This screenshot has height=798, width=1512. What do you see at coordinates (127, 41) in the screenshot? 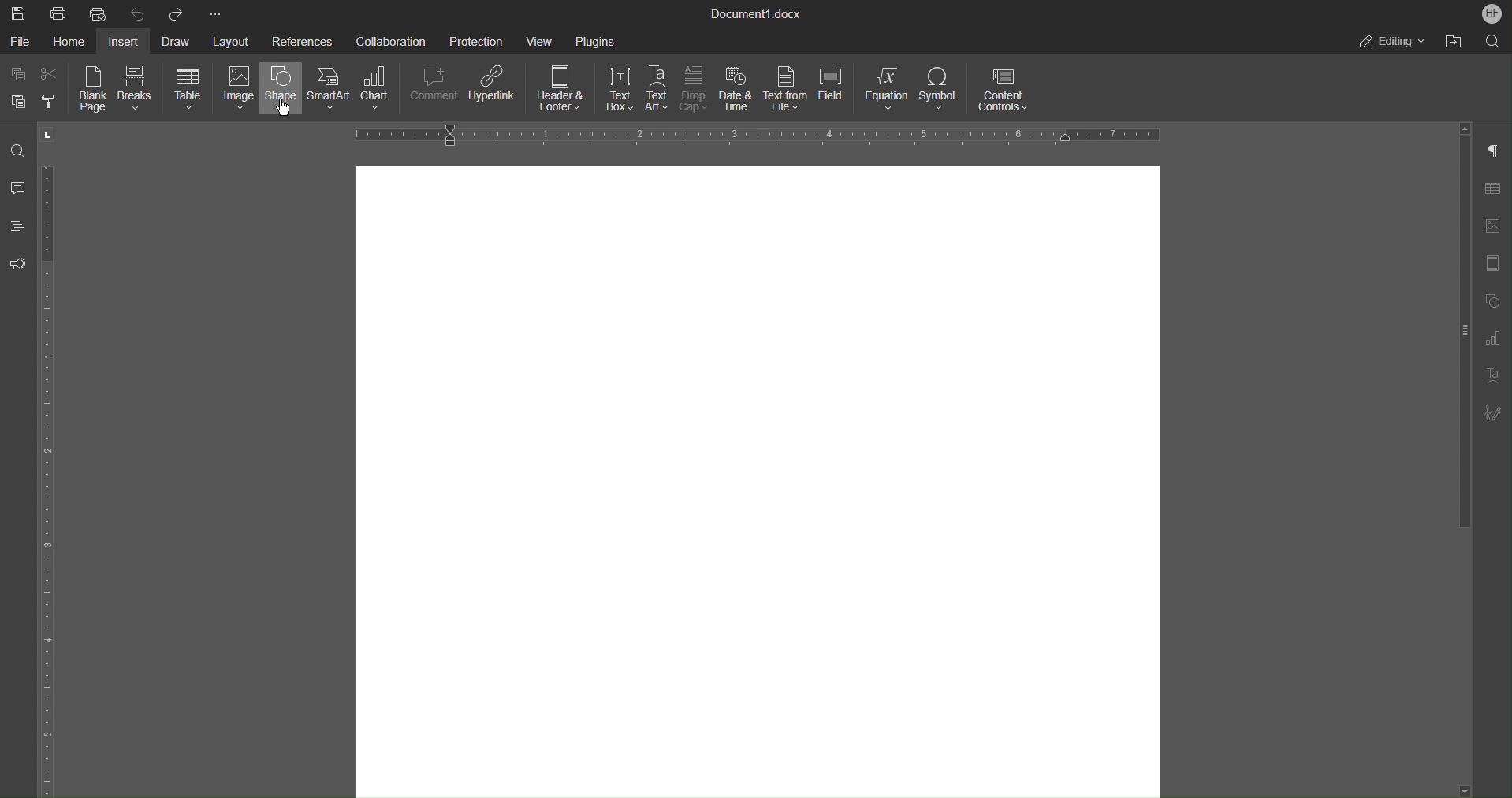
I see `Insert` at bounding box center [127, 41].